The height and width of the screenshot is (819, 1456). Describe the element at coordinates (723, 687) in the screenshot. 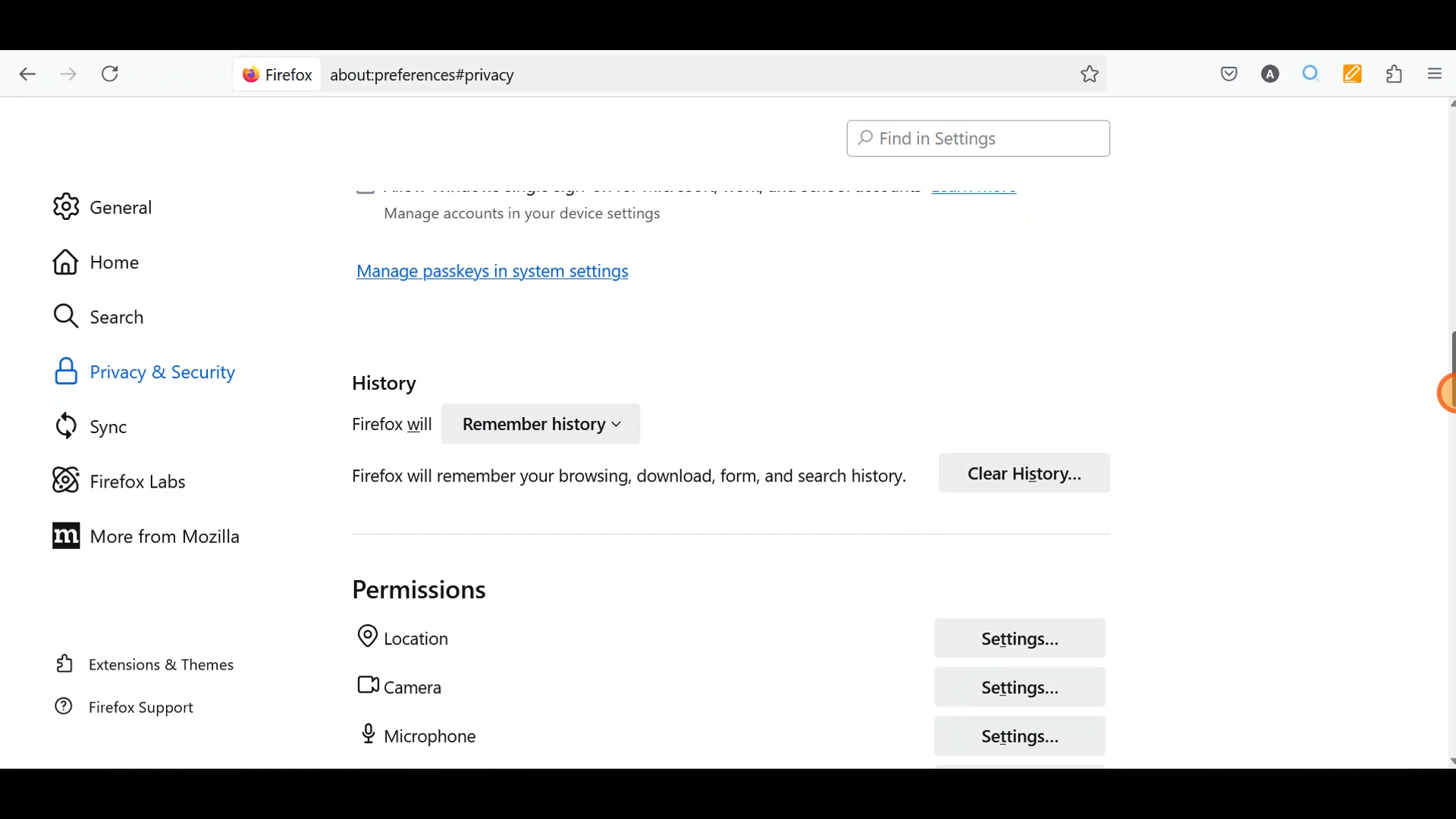

I see `Camera settings` at that location.